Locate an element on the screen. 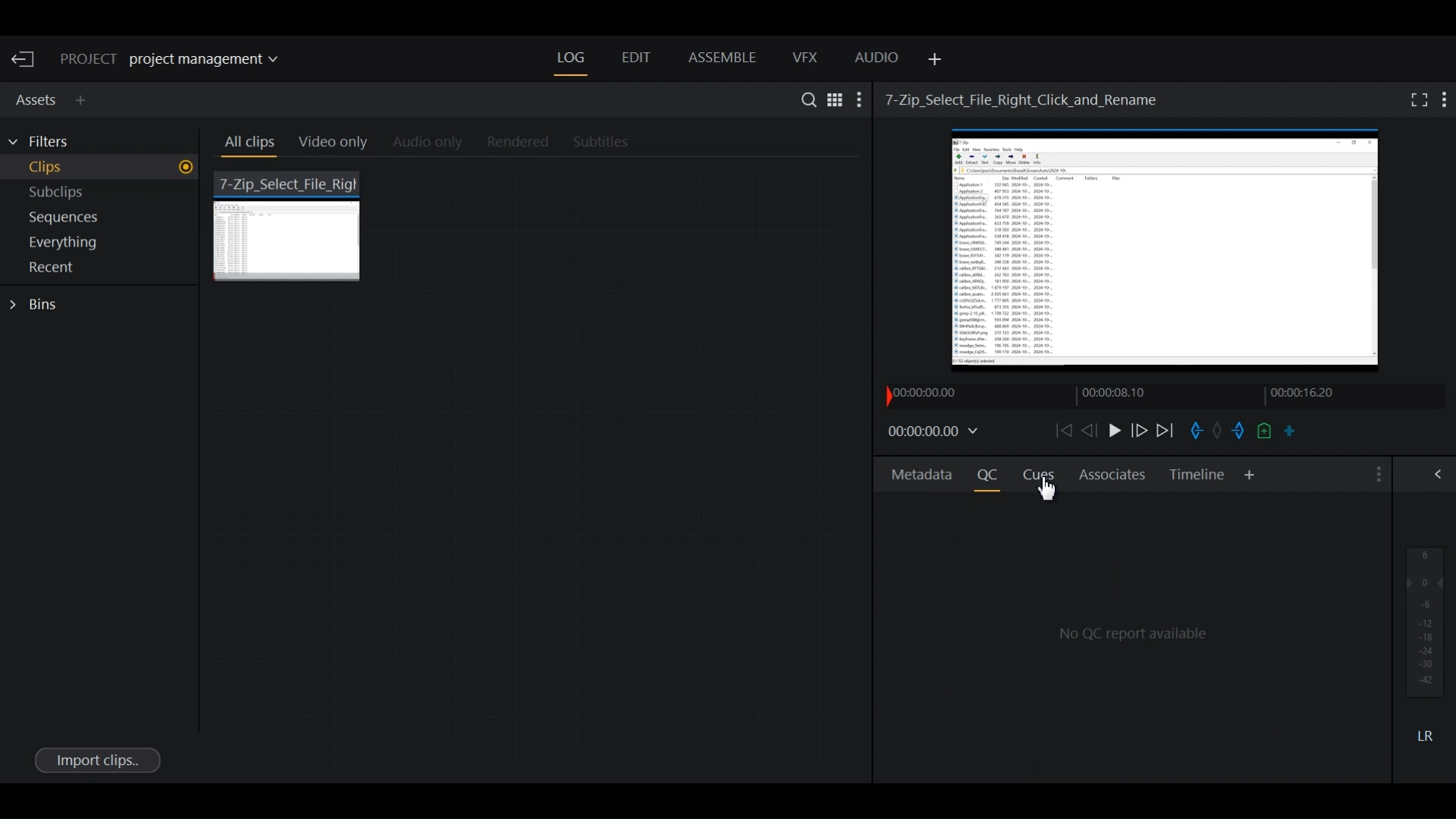  Rendered is located at coordinates (513, 143).